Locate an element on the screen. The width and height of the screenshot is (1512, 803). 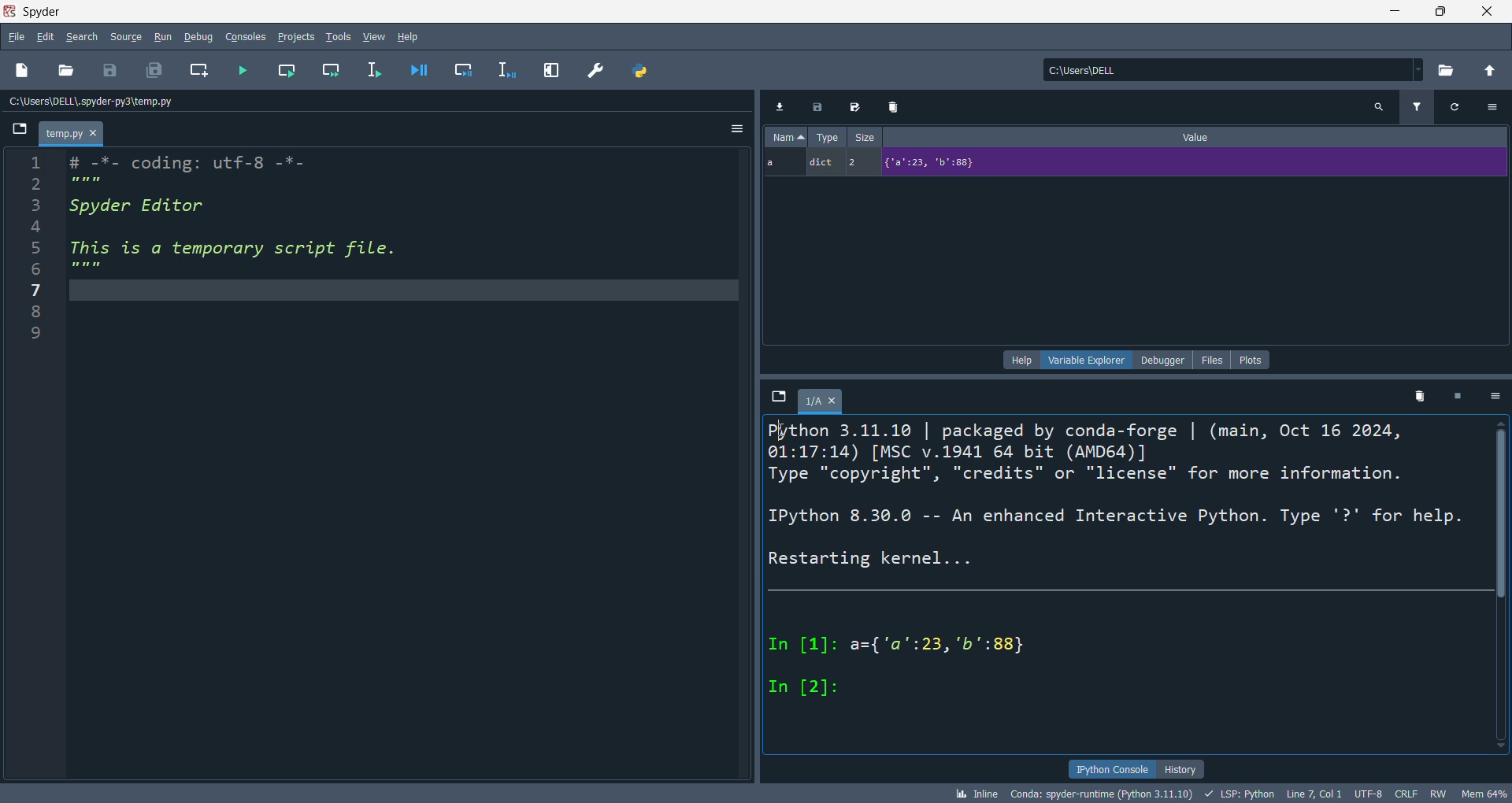
run cell and move is located at coordinates (335, 68).